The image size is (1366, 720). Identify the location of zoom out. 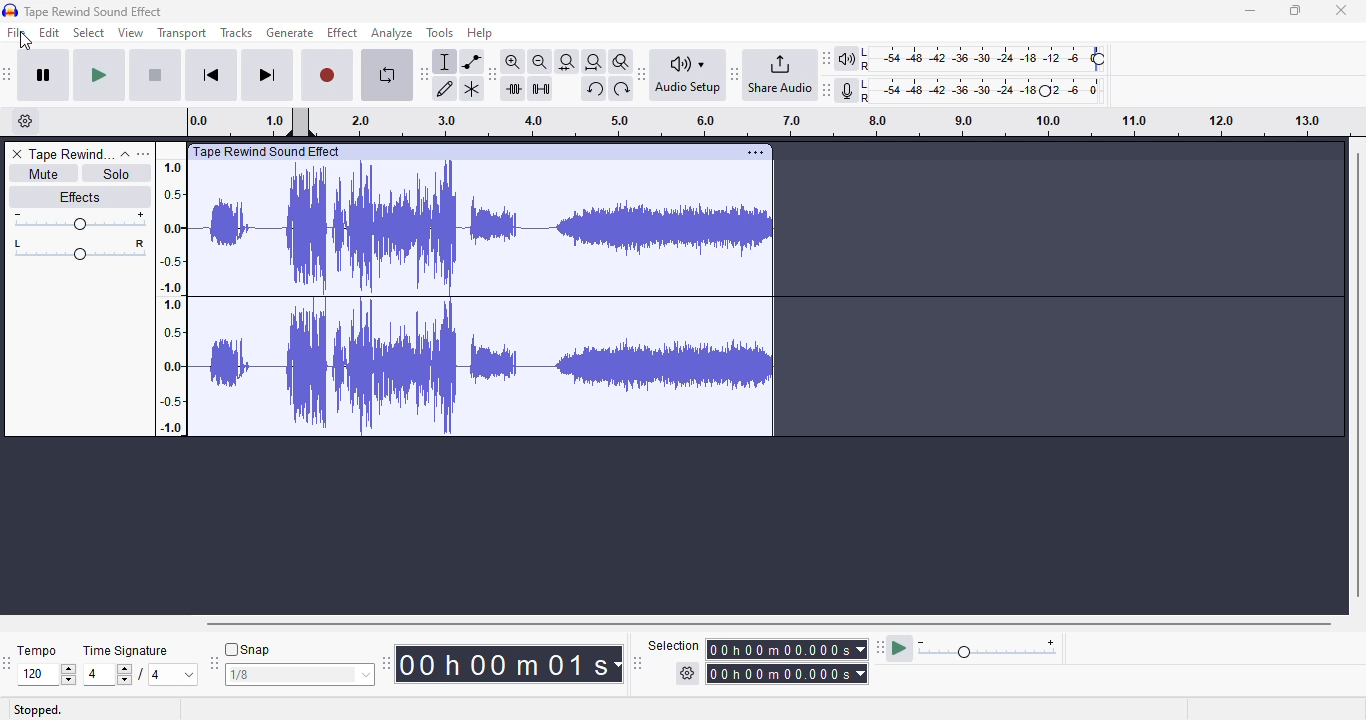
(540, 61).